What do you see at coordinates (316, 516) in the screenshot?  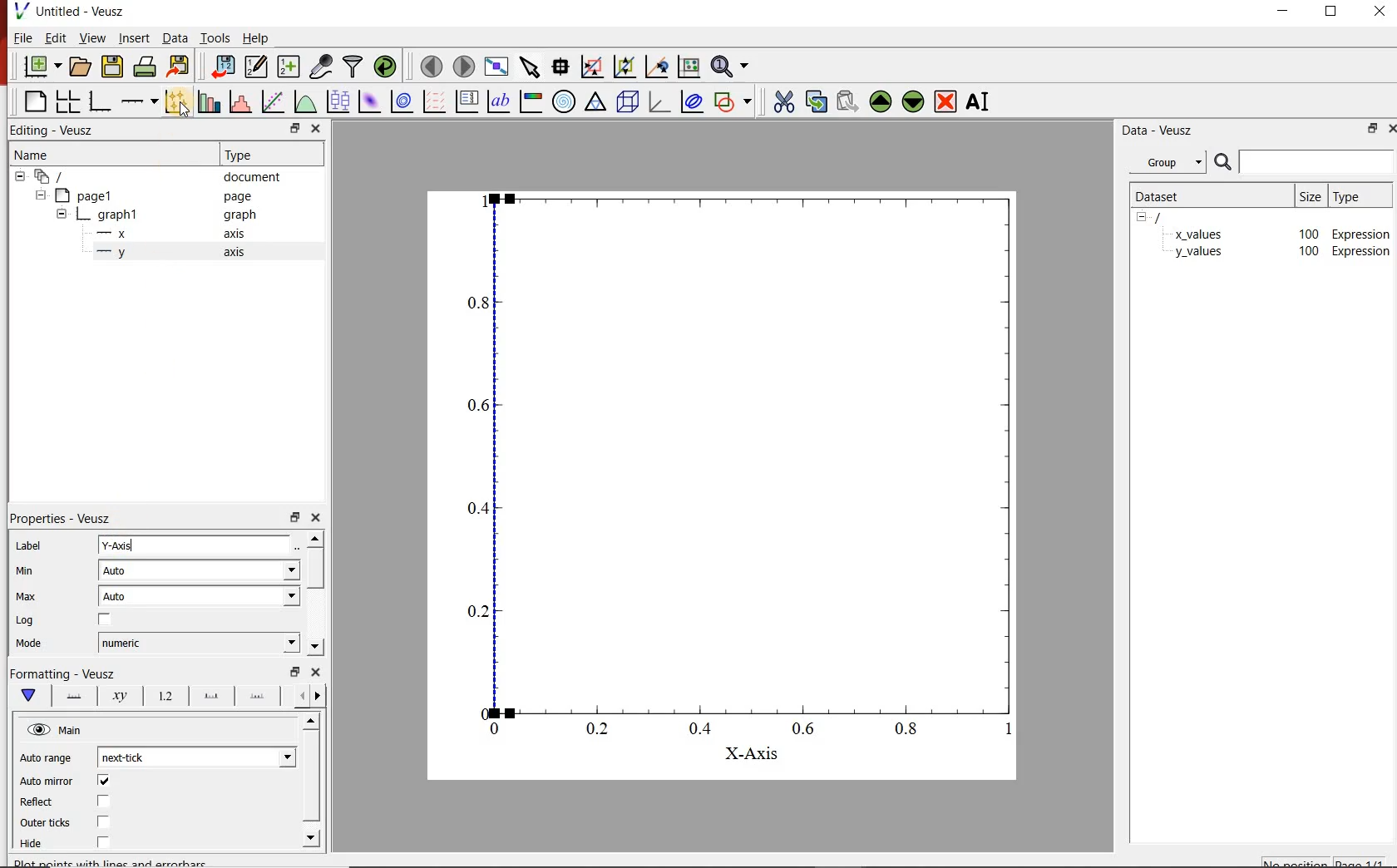 I see `close` at bounding box center [316, 516].